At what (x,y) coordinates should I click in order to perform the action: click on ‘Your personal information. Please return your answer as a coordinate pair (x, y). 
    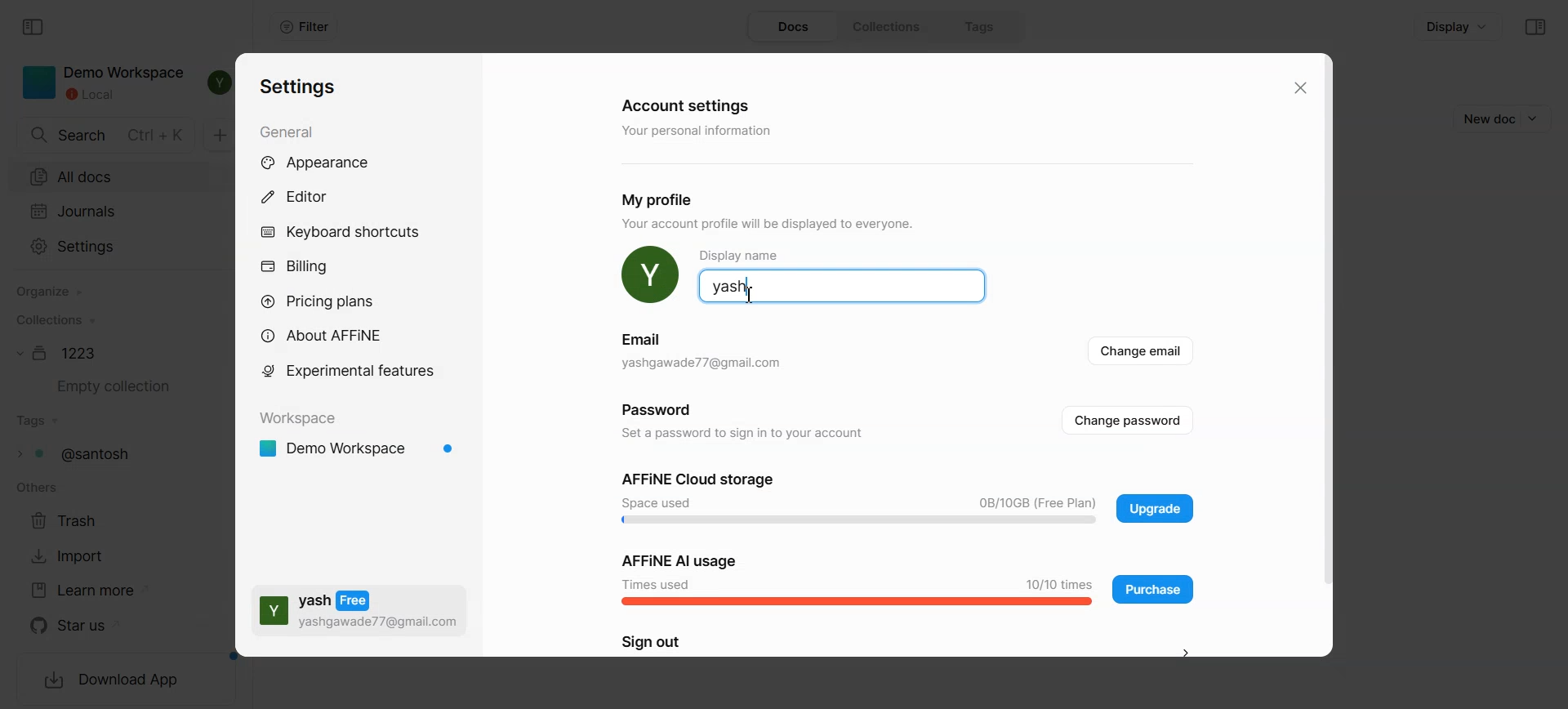
    Looking at the image, I should click on (701, 132).